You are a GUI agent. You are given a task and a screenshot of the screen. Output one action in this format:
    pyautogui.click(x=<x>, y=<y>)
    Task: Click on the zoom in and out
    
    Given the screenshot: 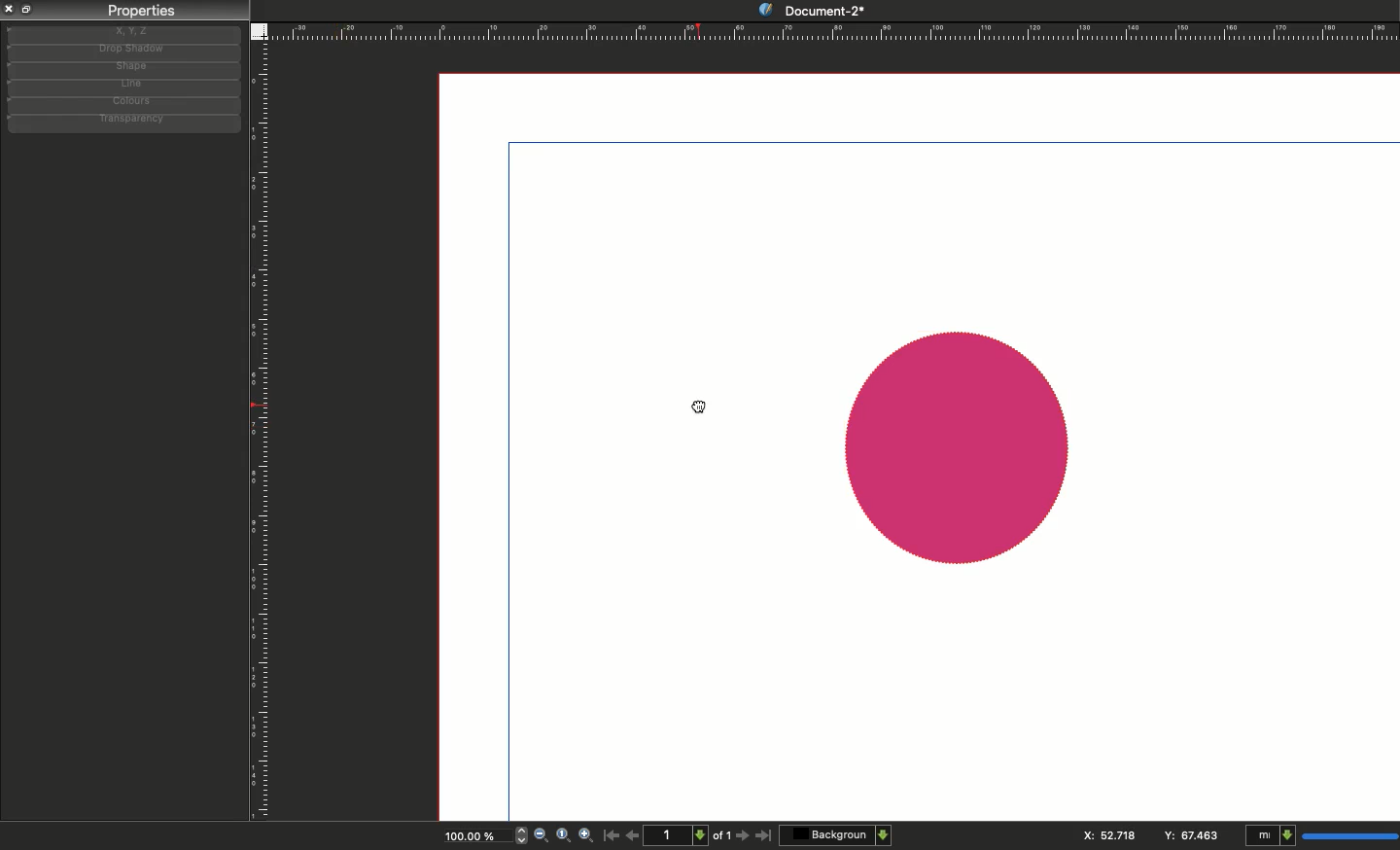 What is the action you would take?
    pyautogui.click(x=517, y=834)
    